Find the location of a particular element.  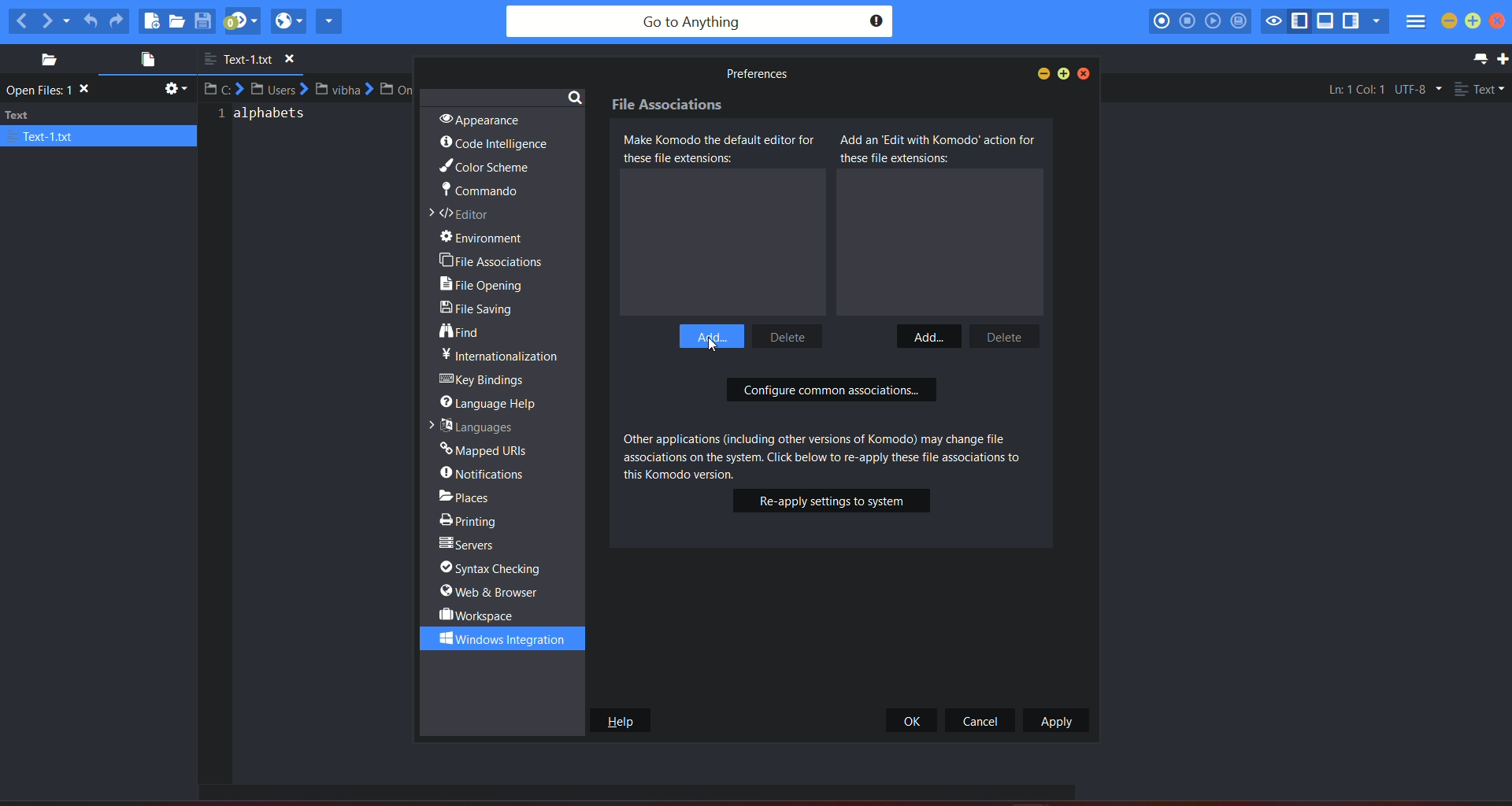

mapped URLs is located at coordinates (485, 448).